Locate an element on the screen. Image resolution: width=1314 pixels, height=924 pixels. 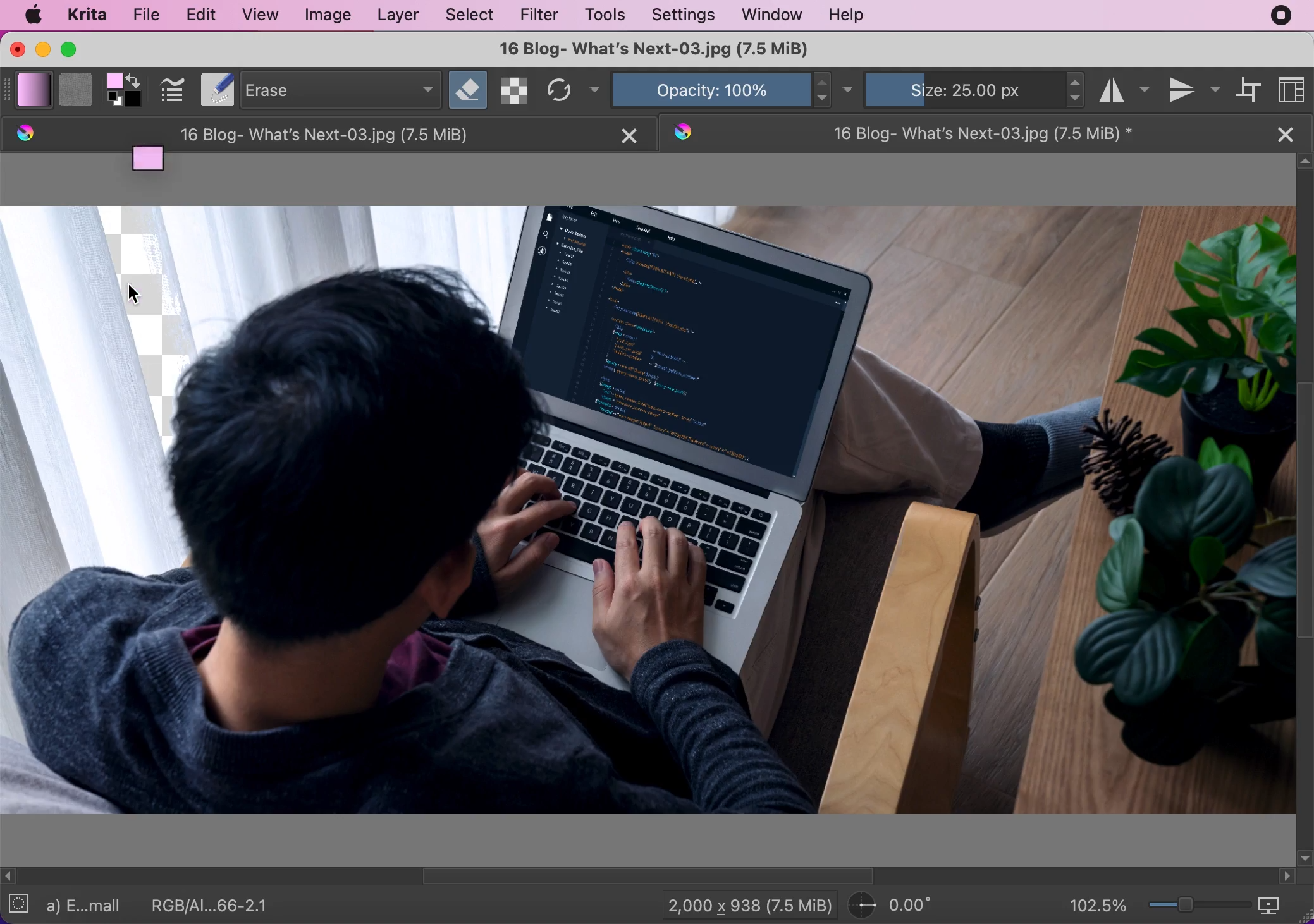
size: 25.00 px is located at coordinates (962, 89).